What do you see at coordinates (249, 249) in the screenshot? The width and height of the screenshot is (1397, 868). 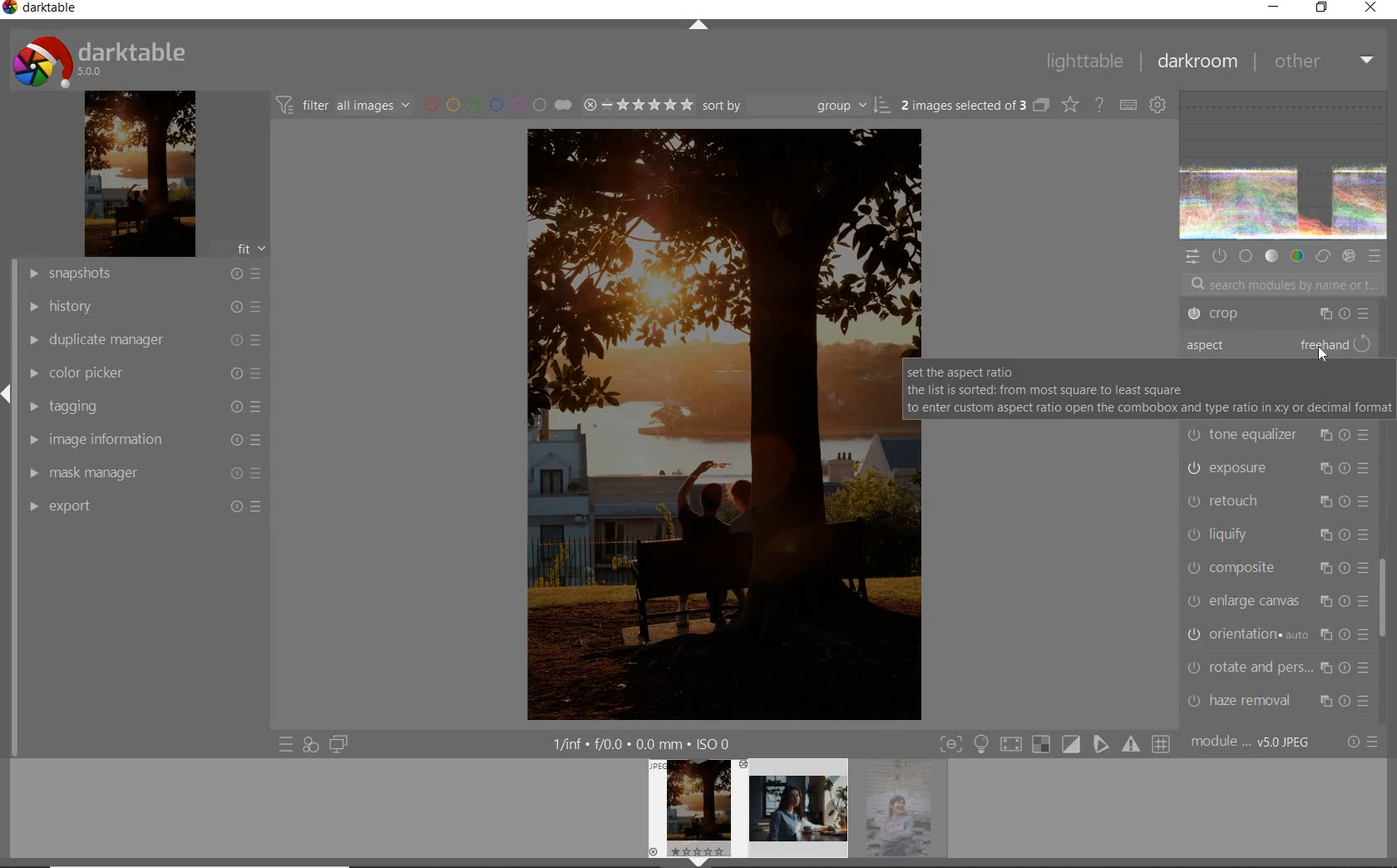 I see `fit` at bounding box center [249, 249].